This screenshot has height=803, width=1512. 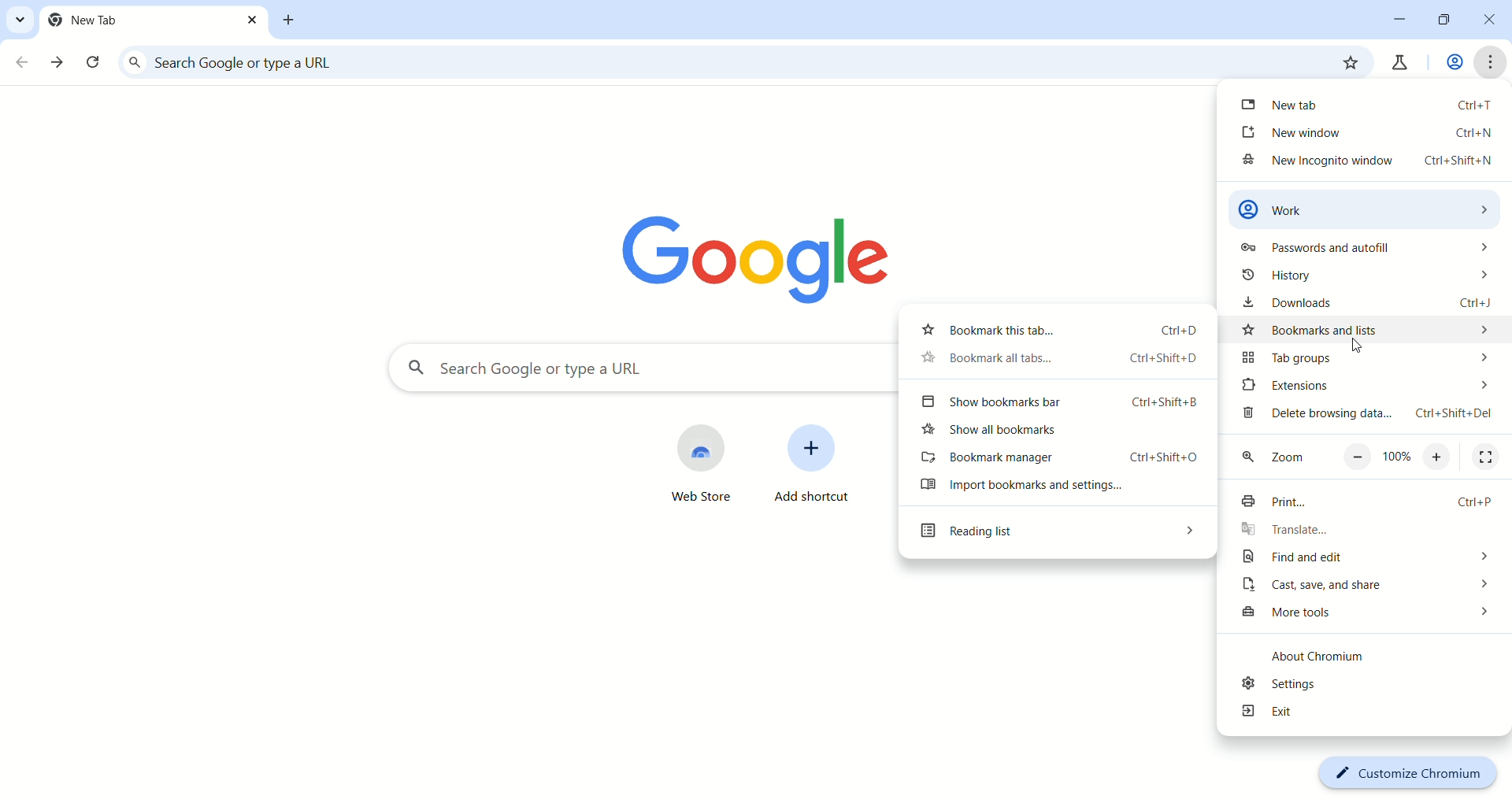 What do you see at coordinates (1053, 328) in the screenshot?
I see `bookmark this tab` at bounding box center [1053, 328].